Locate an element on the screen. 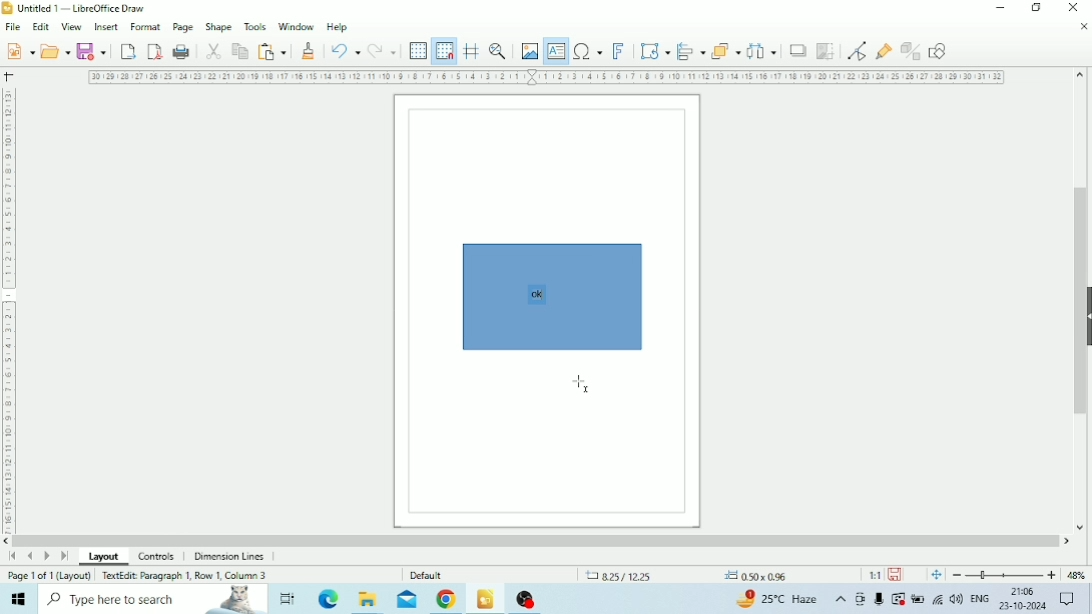 The height and width of the screenshot is (614, 1092). Window is located at coordinates (297, 28).